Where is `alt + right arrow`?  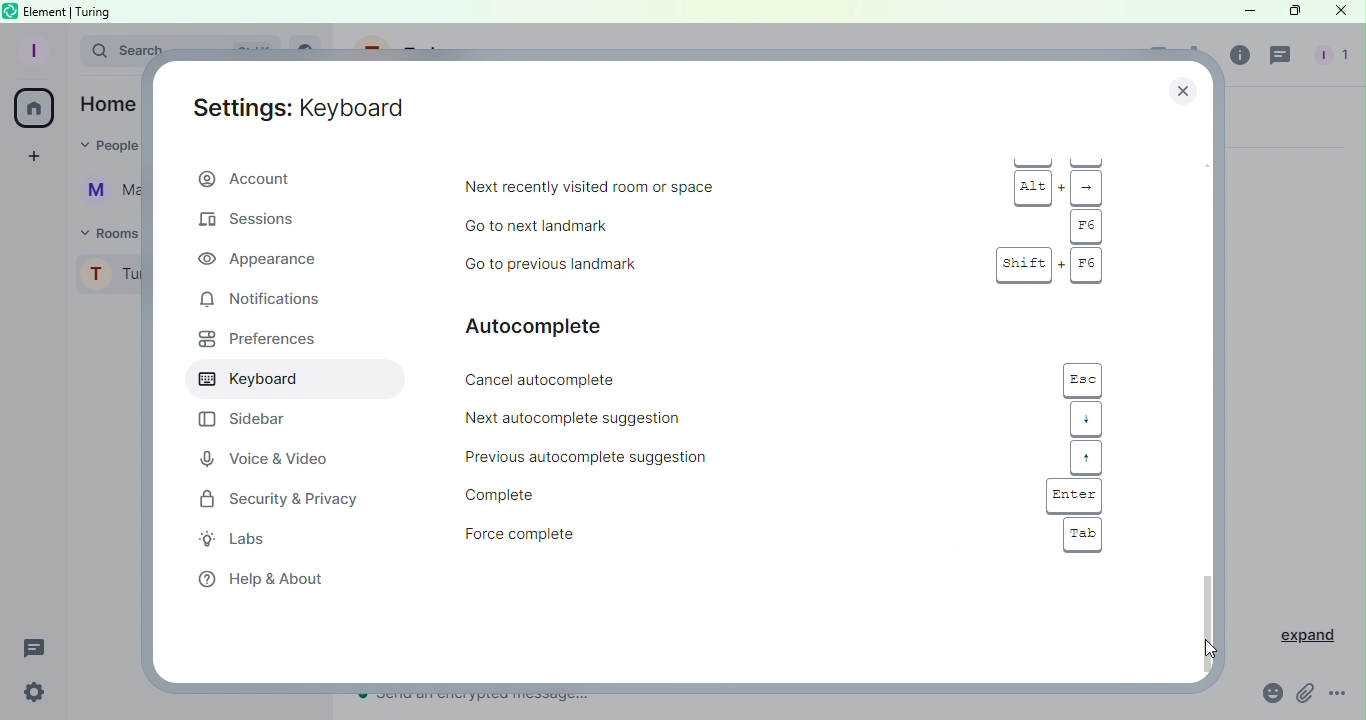
alt + right arrow is located at coordinates (1062, 189).